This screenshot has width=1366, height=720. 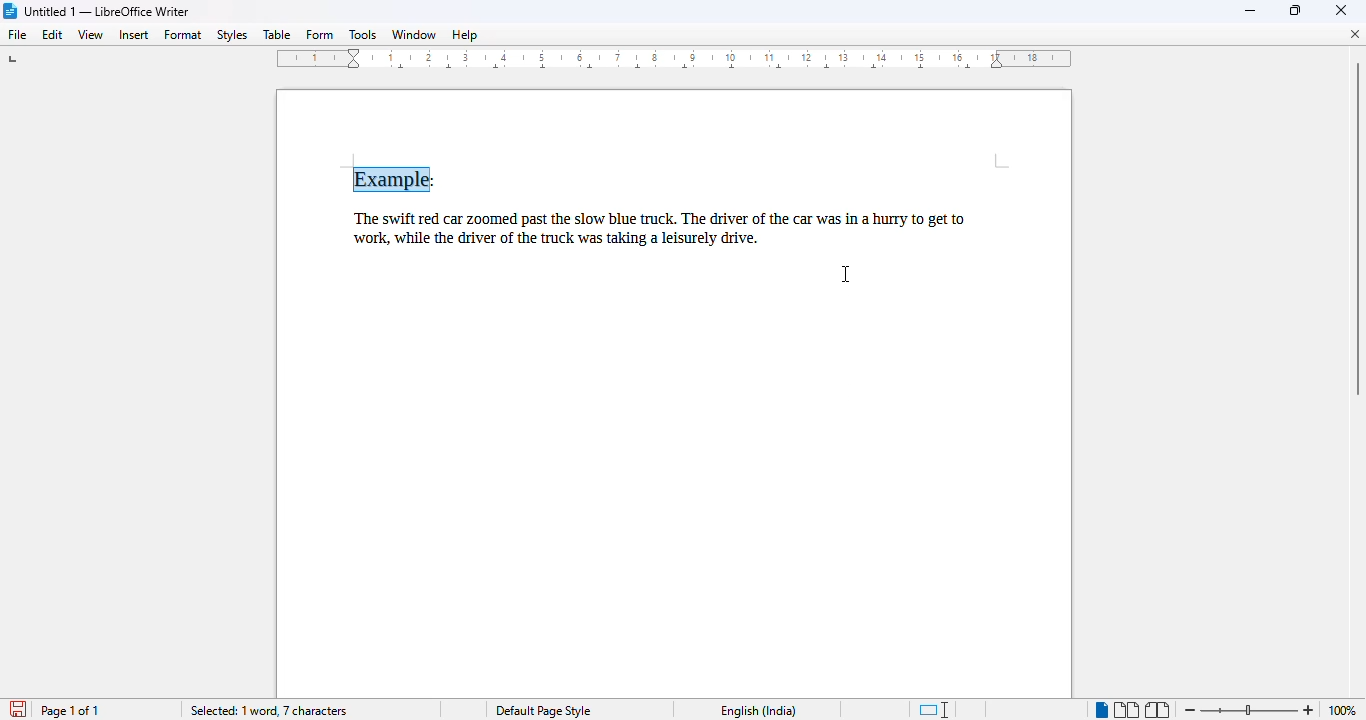 I want to click on Change zoom level, so click(x=1249, y=709).